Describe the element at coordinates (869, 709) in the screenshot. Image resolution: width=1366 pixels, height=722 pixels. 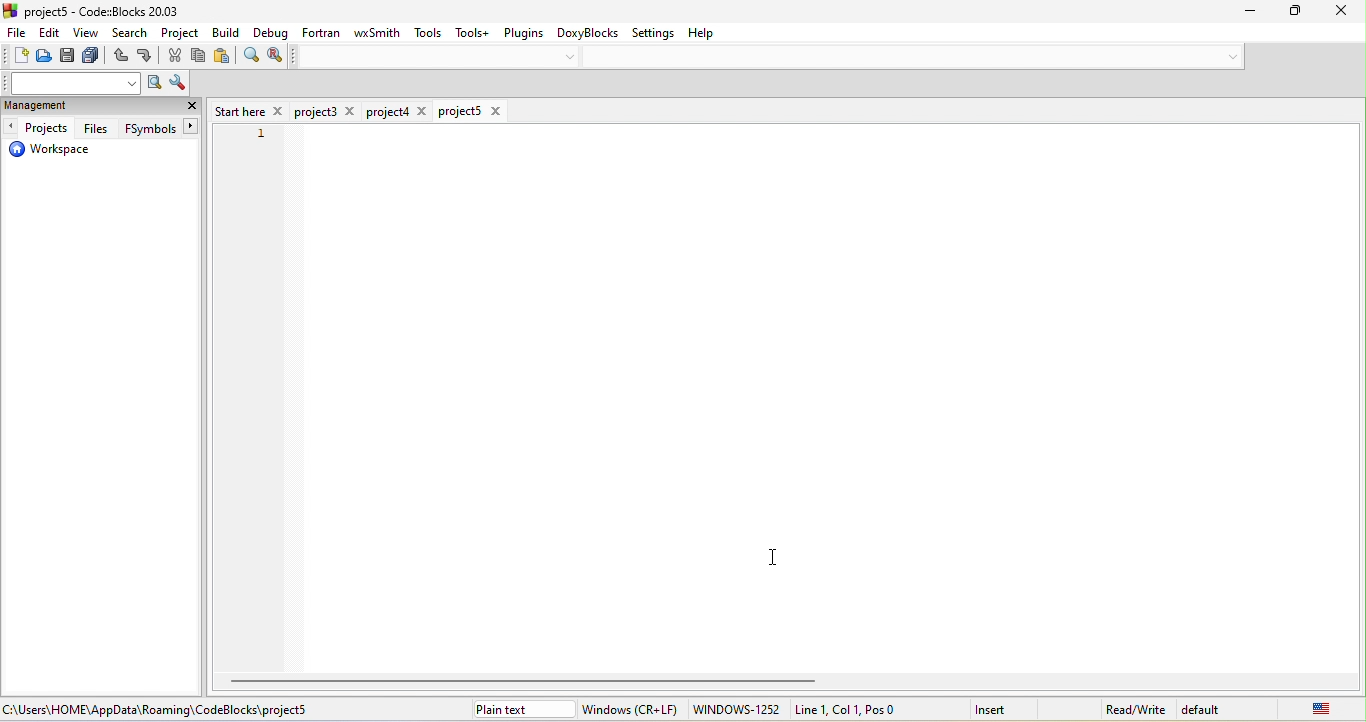
I see `line 1, col 1 , pos0` at that location.